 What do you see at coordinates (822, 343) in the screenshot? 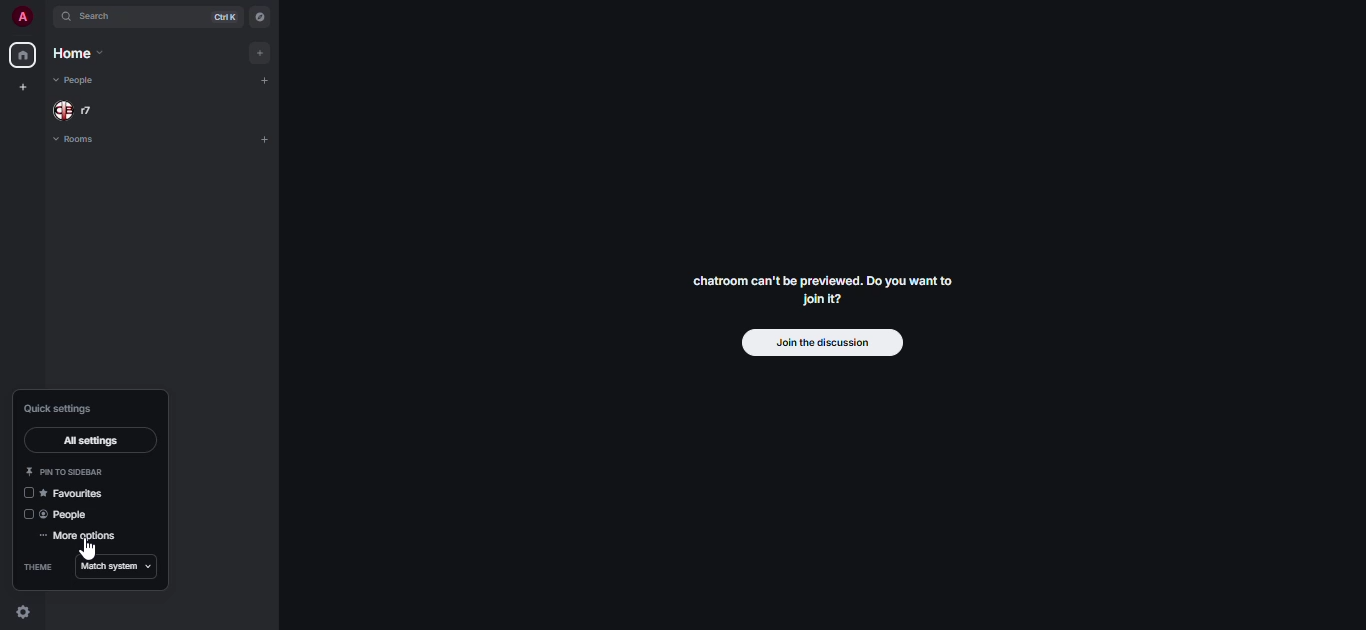
I see `join the discussion` at bounding box center [822, 343].